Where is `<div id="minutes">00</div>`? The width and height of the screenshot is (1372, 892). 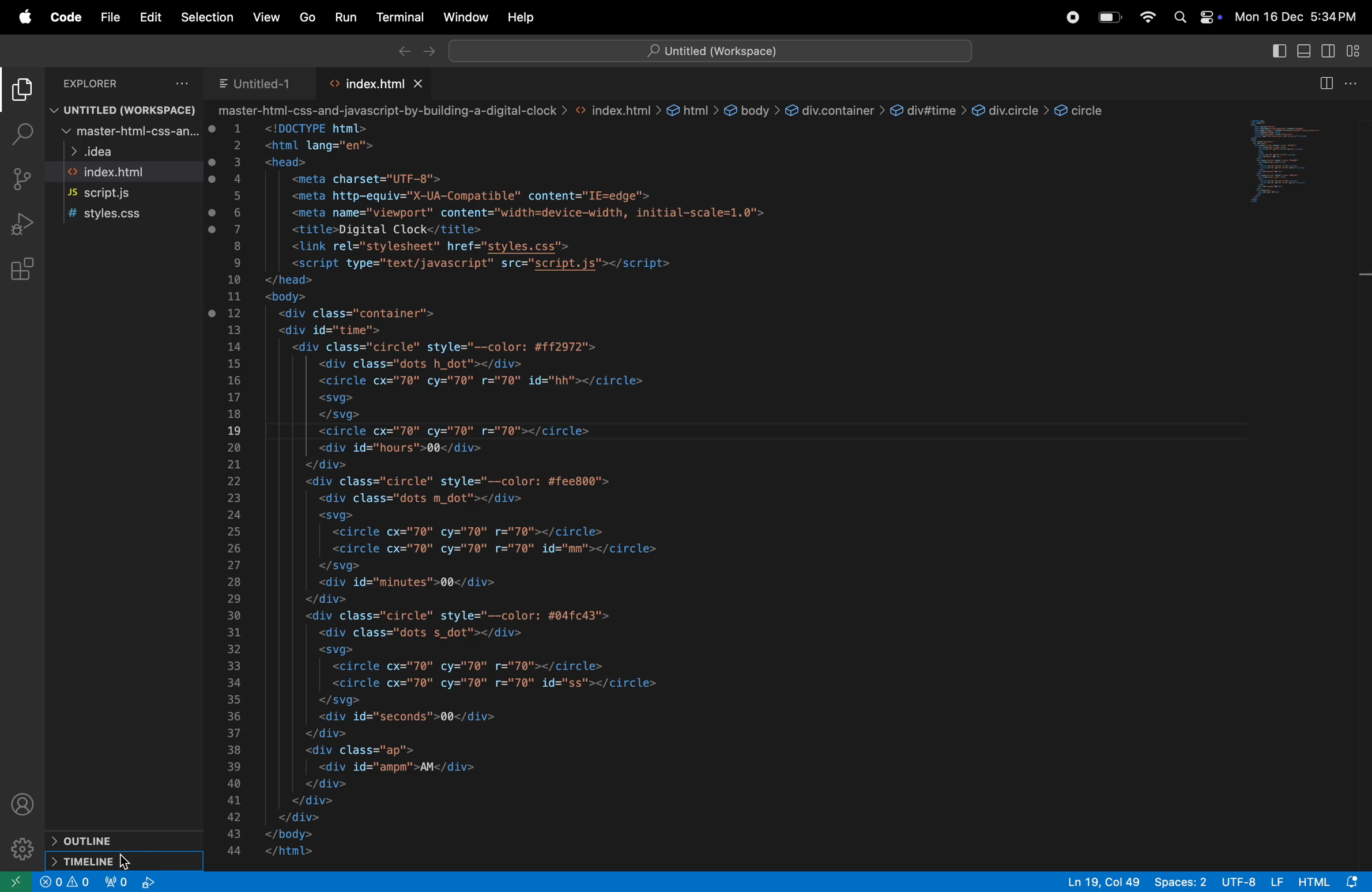
<div id="minutes">00</div> is located at coordinates (420, 583).